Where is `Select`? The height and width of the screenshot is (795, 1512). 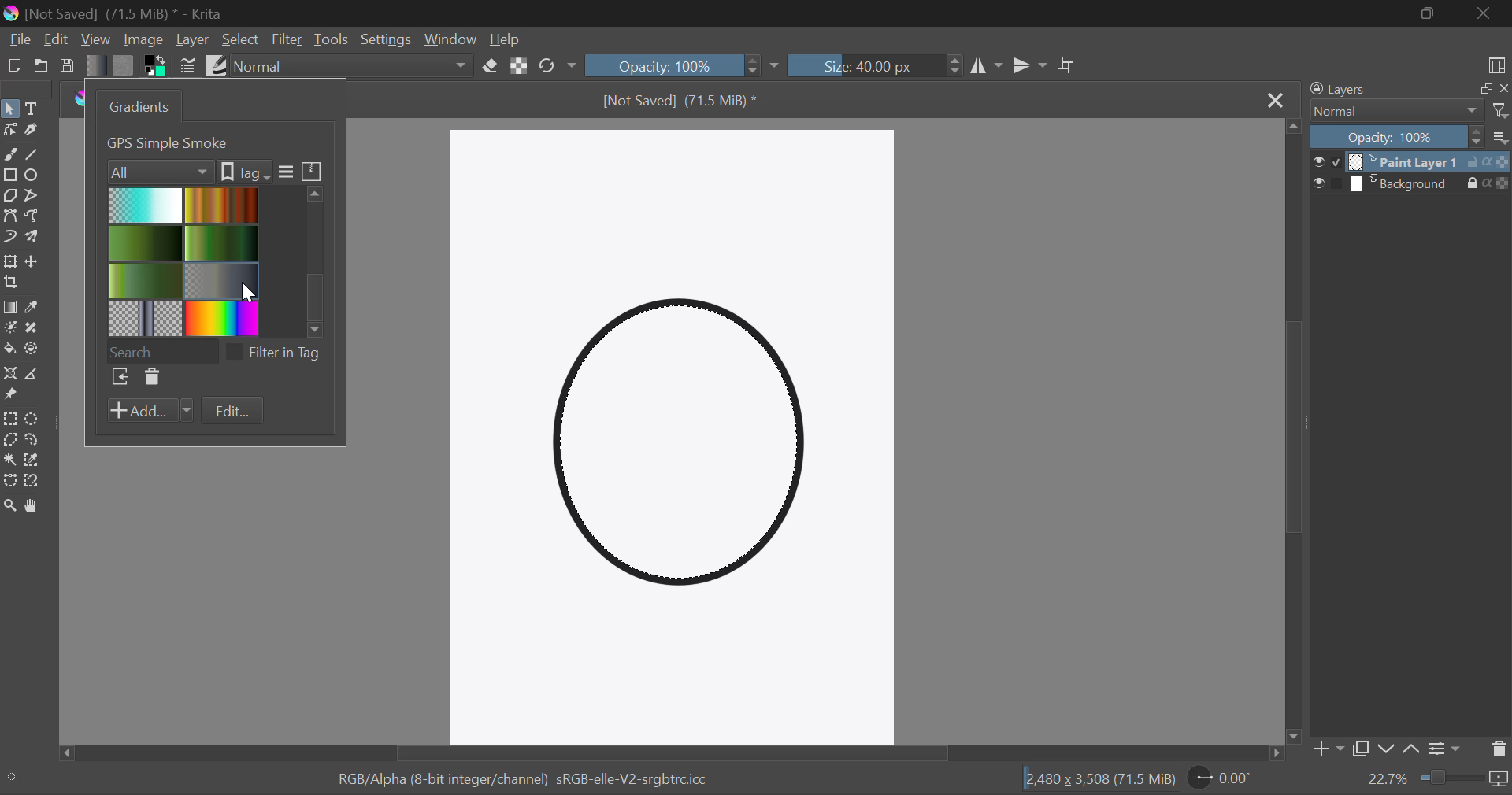 Select is located at coordinates (241, 42).